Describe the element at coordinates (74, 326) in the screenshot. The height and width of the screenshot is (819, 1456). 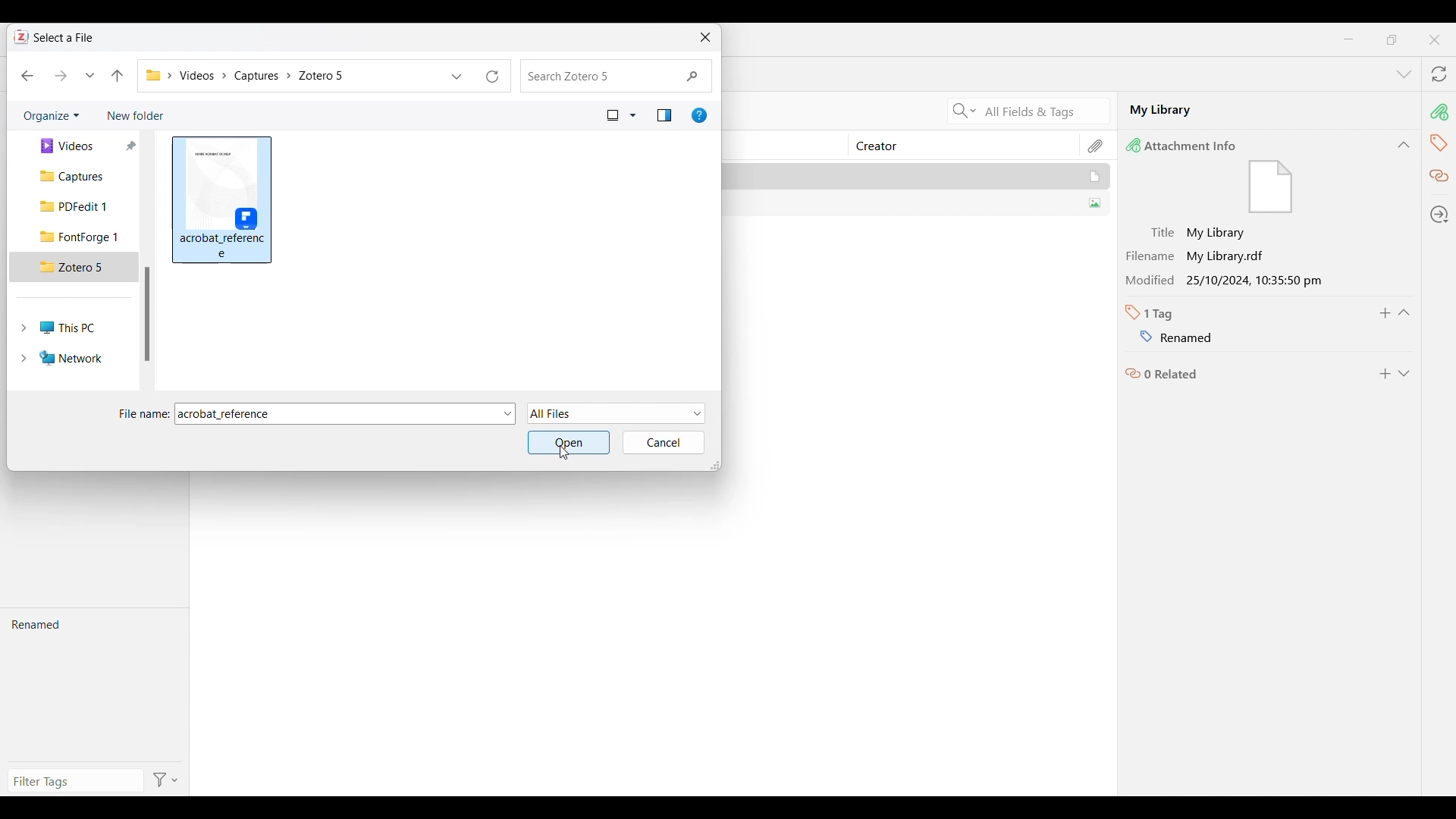
I see `This PC` at that location.